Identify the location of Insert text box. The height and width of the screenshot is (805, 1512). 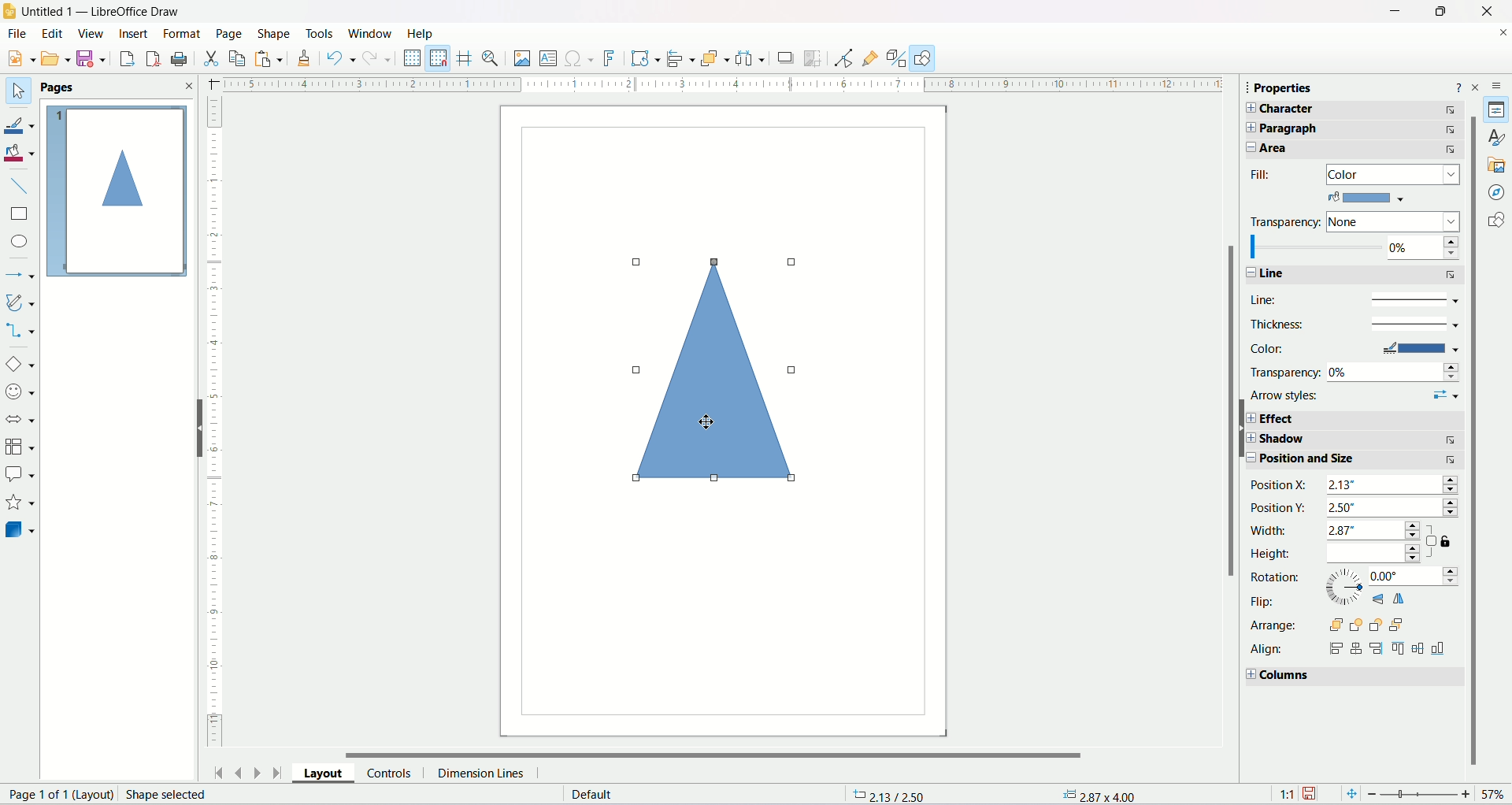
(548, 57).